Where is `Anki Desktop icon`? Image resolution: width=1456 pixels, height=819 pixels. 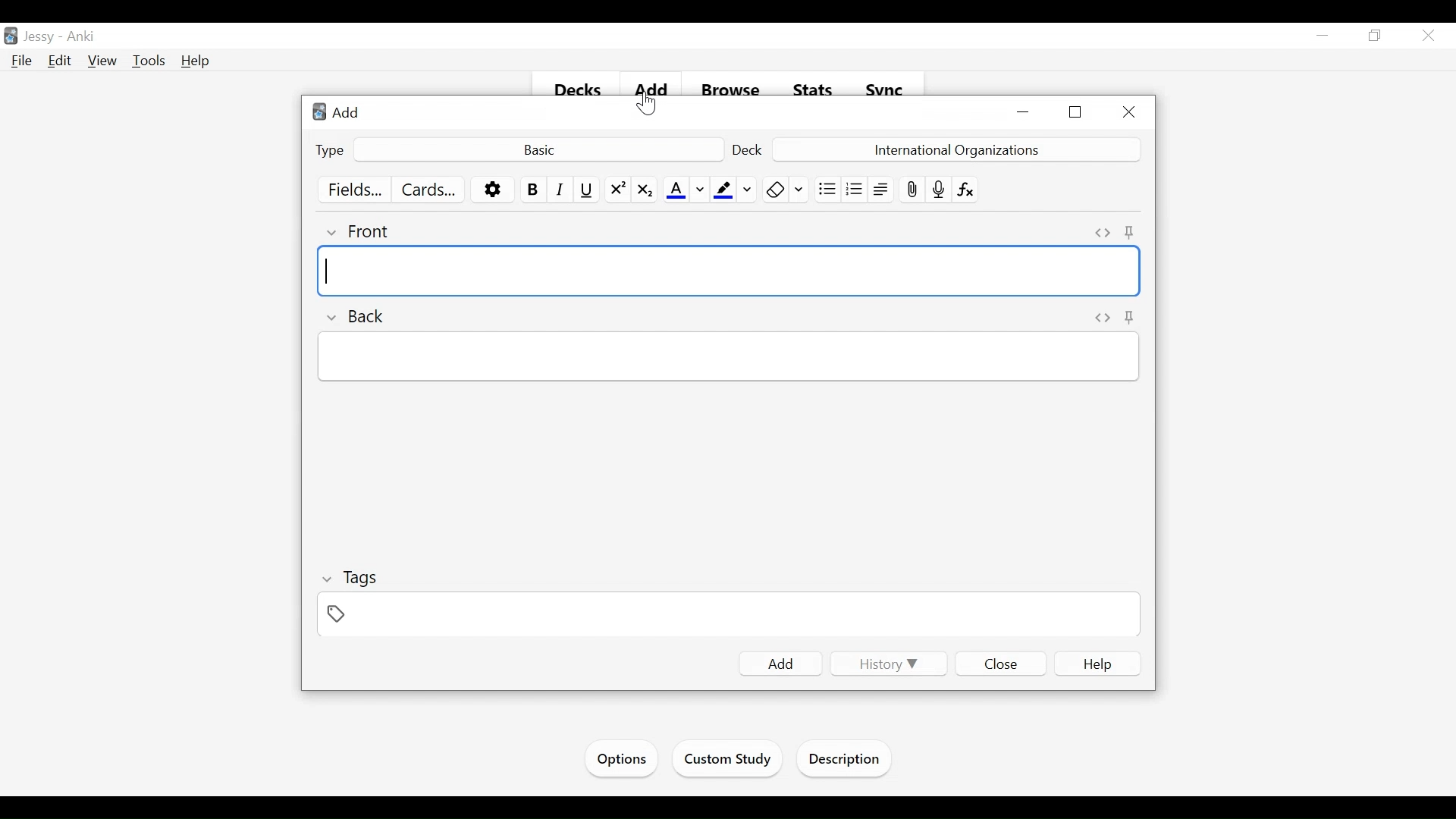 Anki Desktop icon is located at coordinates (11, 37).